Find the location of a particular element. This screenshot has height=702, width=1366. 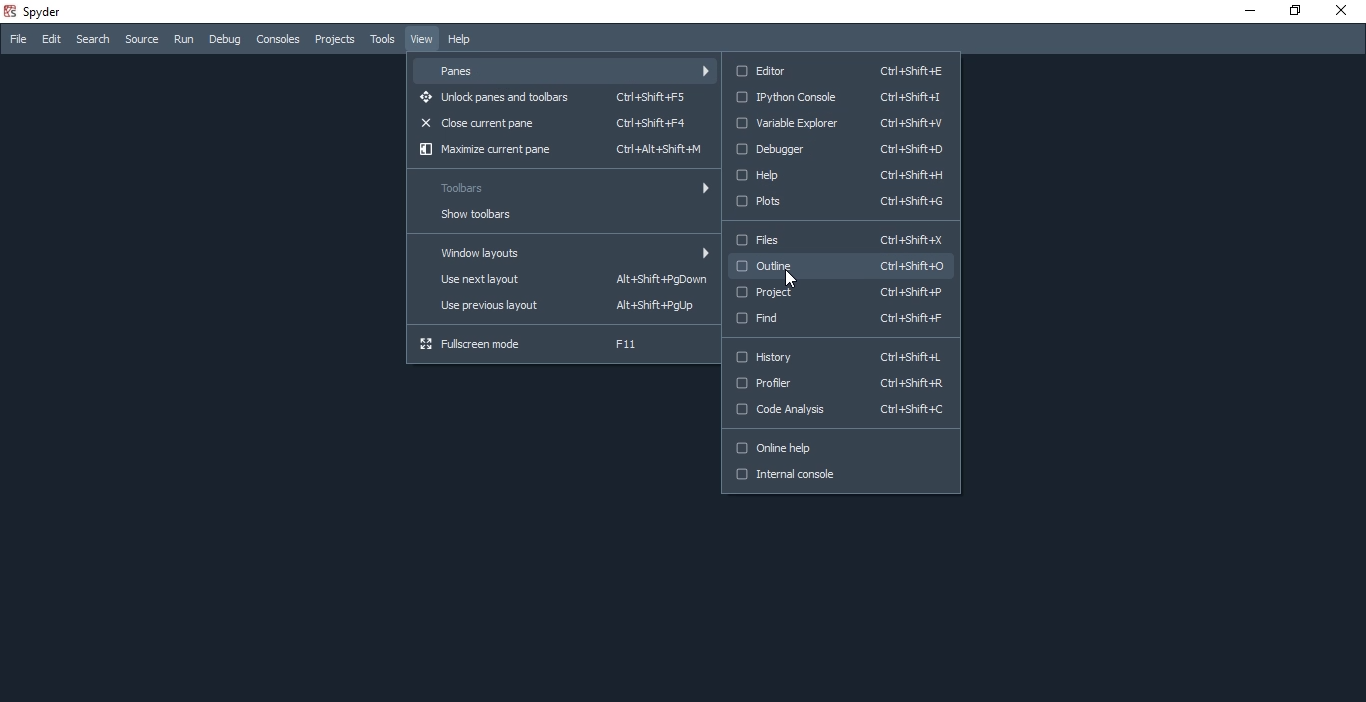

Internal console is located at coordinates (841, 477).